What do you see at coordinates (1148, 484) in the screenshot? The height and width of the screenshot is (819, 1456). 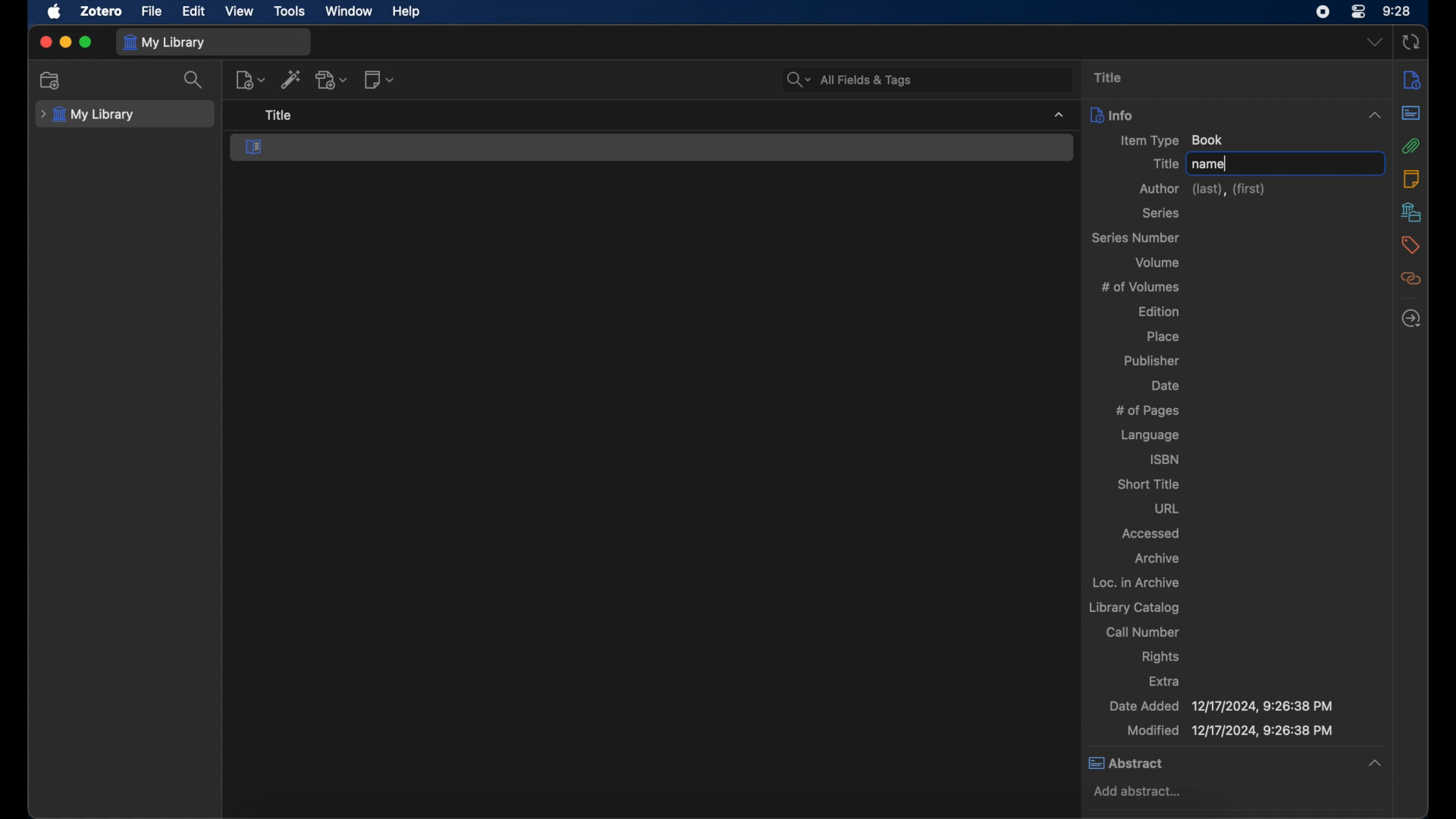 I see `short title` at bounding box center [1148, 484].